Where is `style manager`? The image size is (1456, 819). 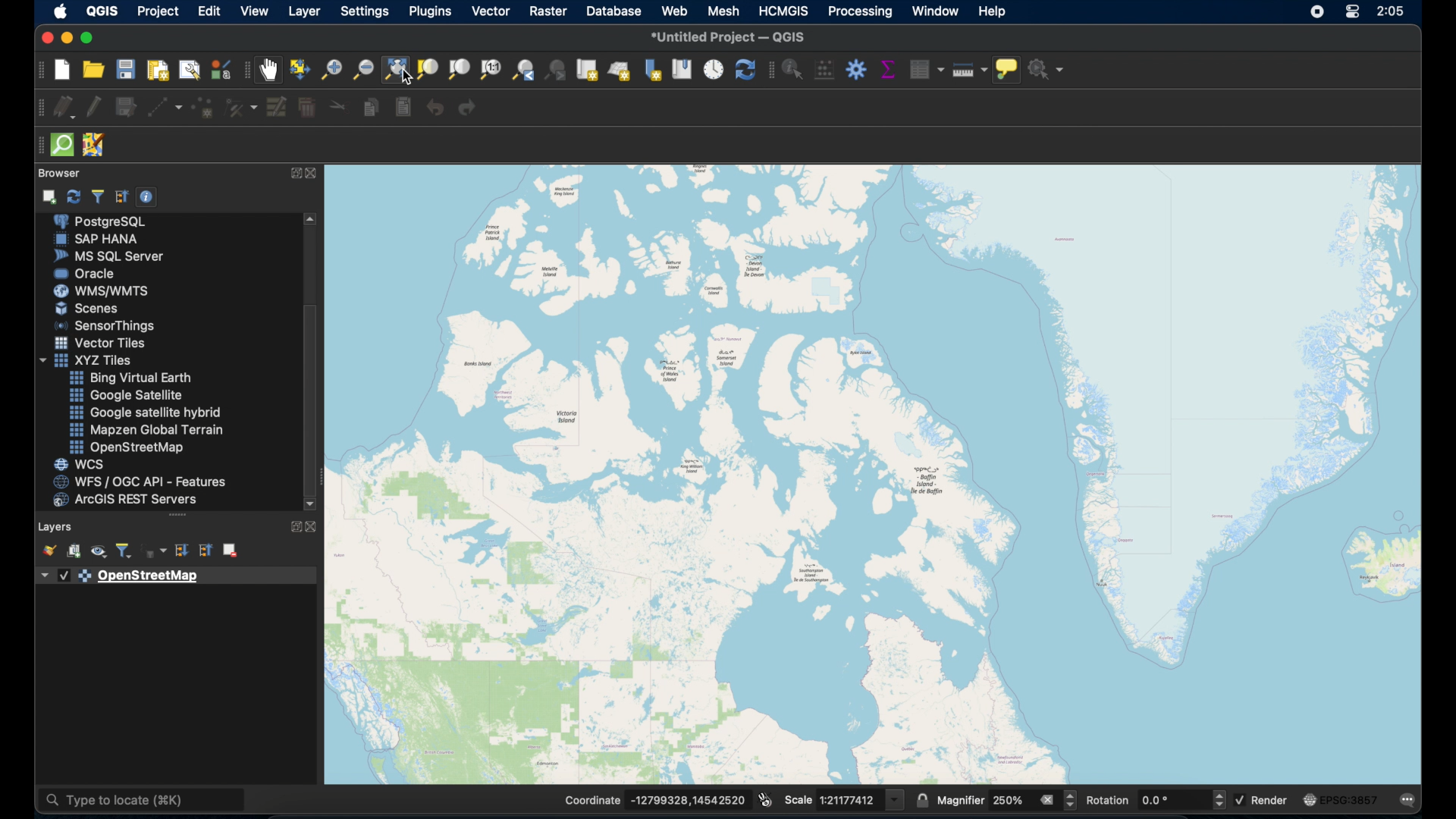 style manager is located at coordinates (221, 71).